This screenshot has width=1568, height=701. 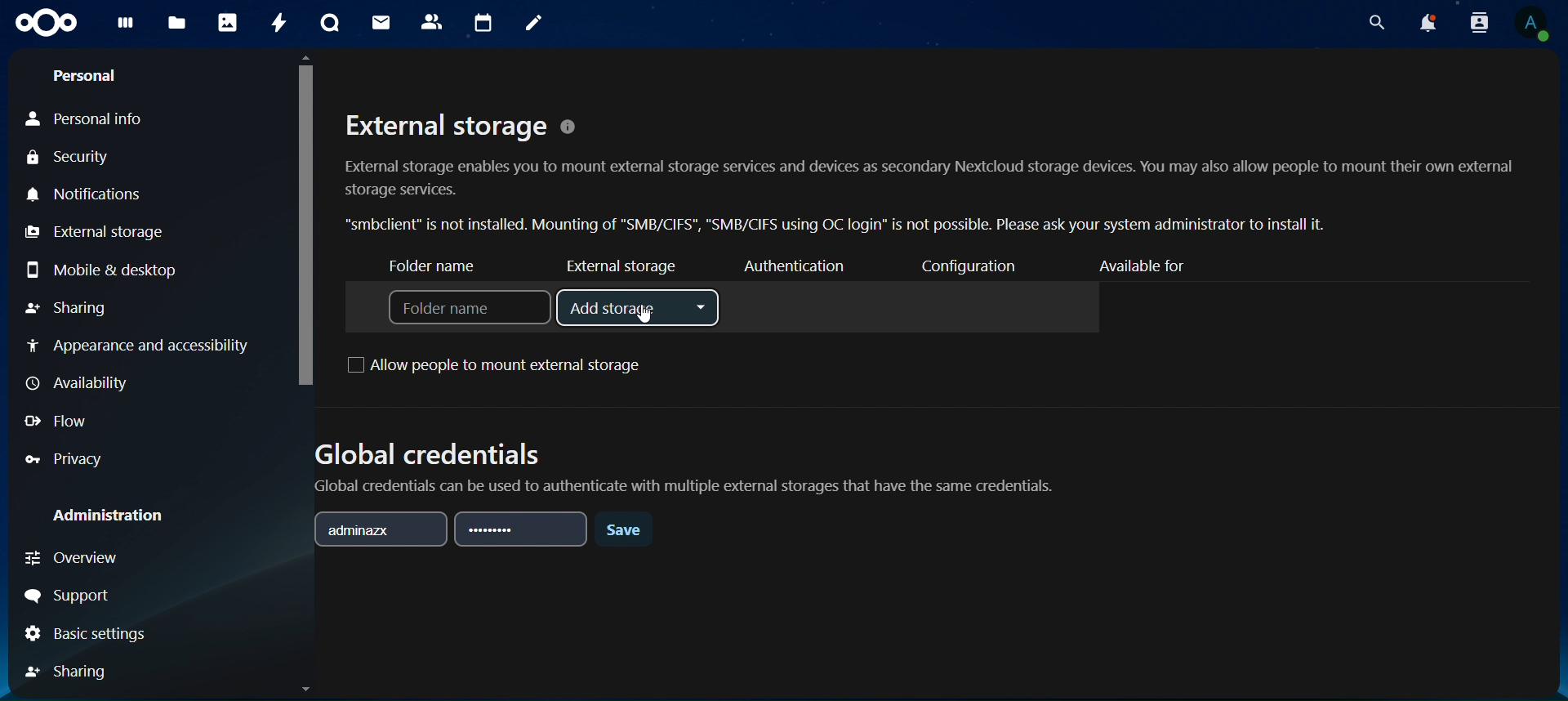 I want to click on administration, so click(x=109, y=517).